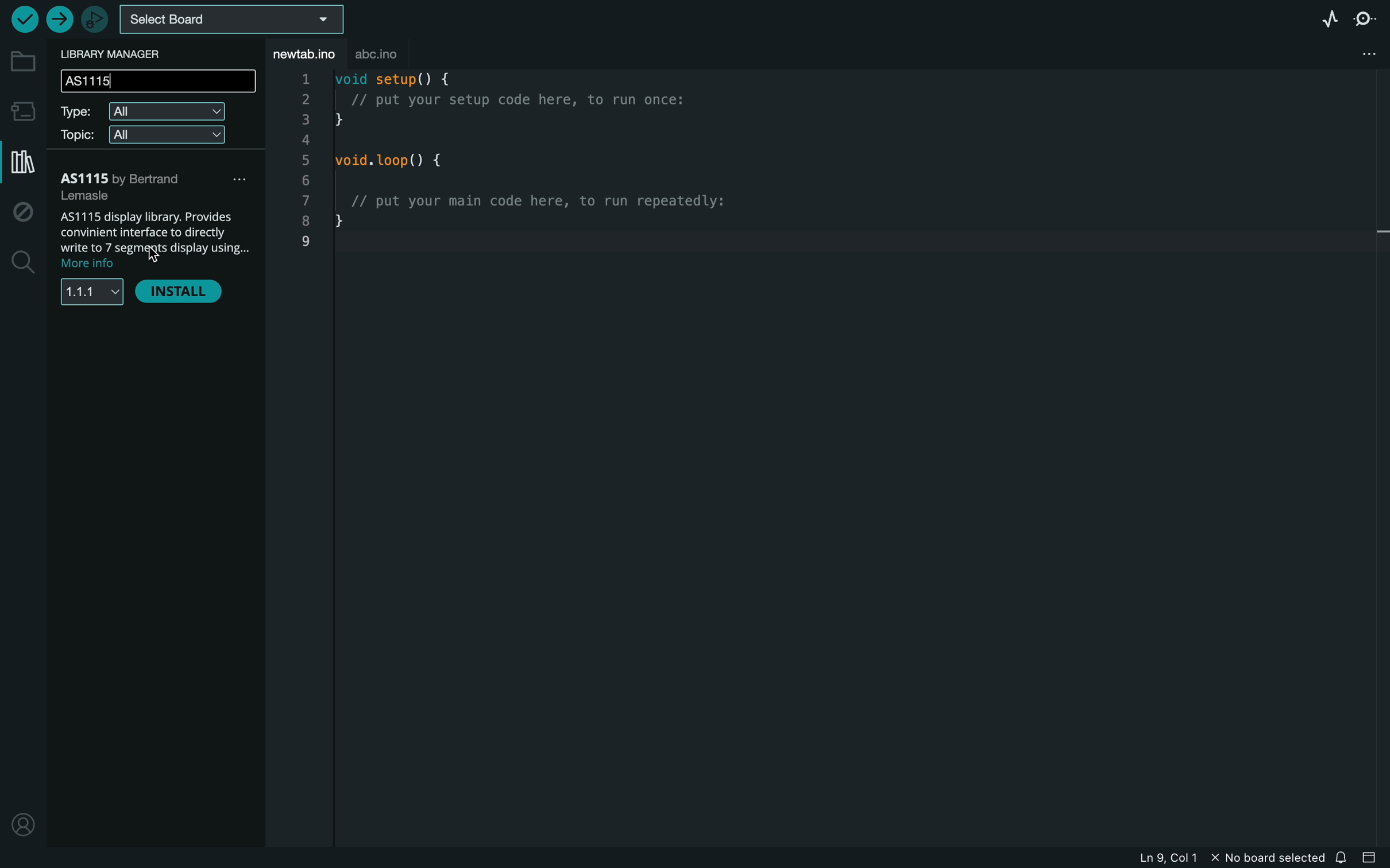  I want to click on DESCRIPTION, so click(155, 239).